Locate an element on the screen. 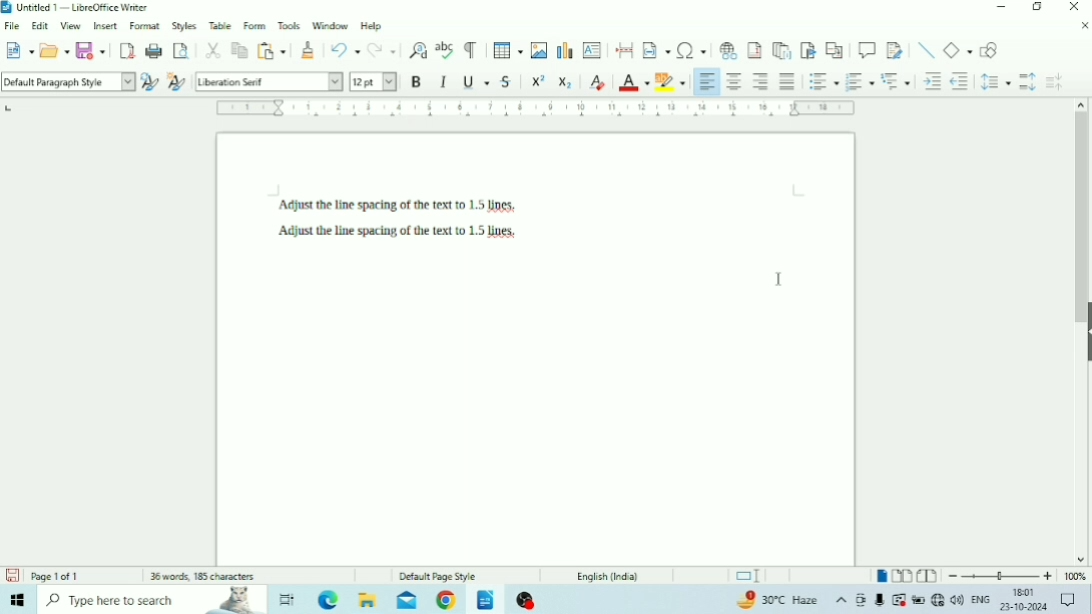 This screenshot has height=614, width=1092. Charging, plugged in is located at coordinates (918, 599).